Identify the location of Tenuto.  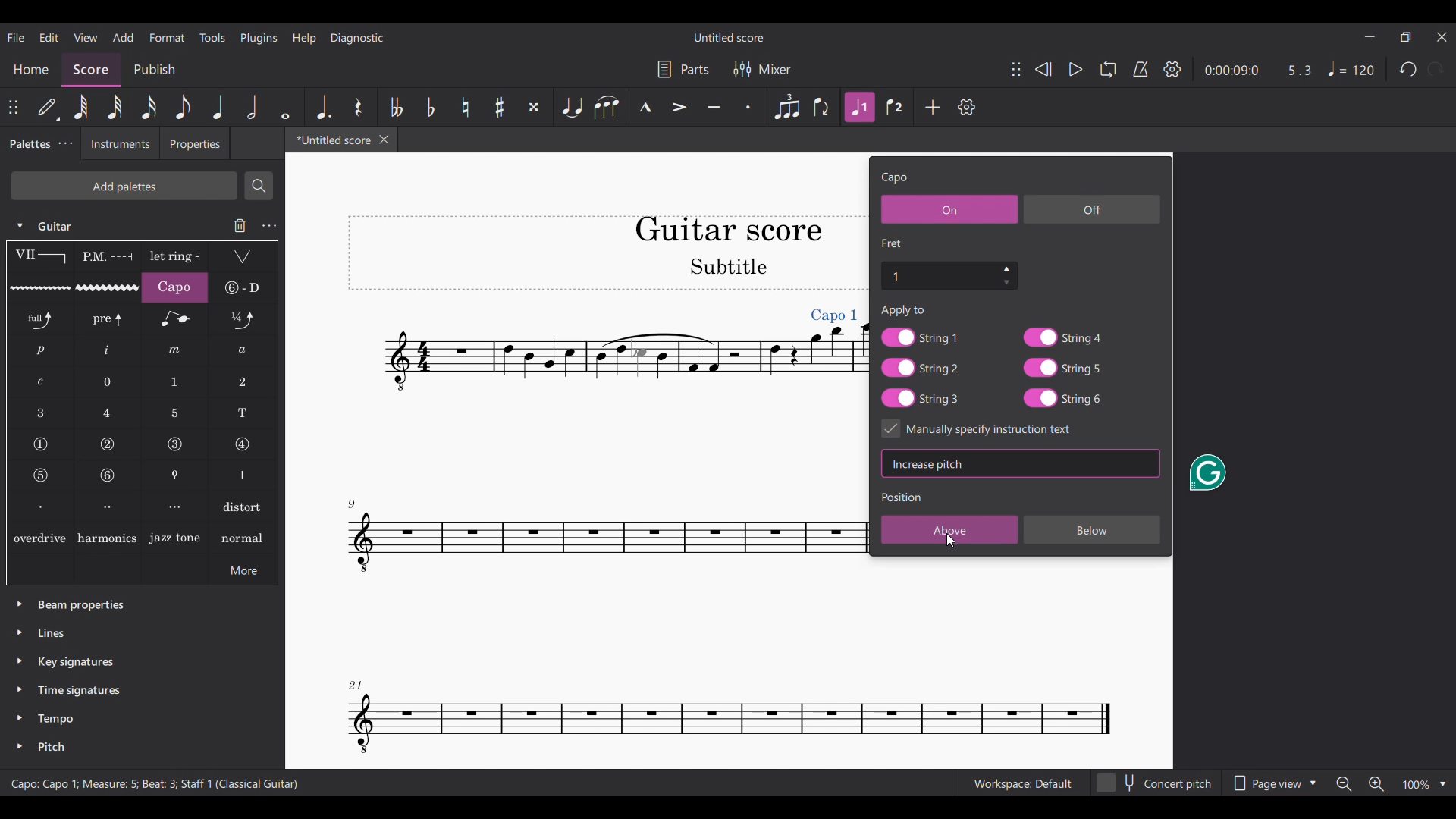
(714, 107).